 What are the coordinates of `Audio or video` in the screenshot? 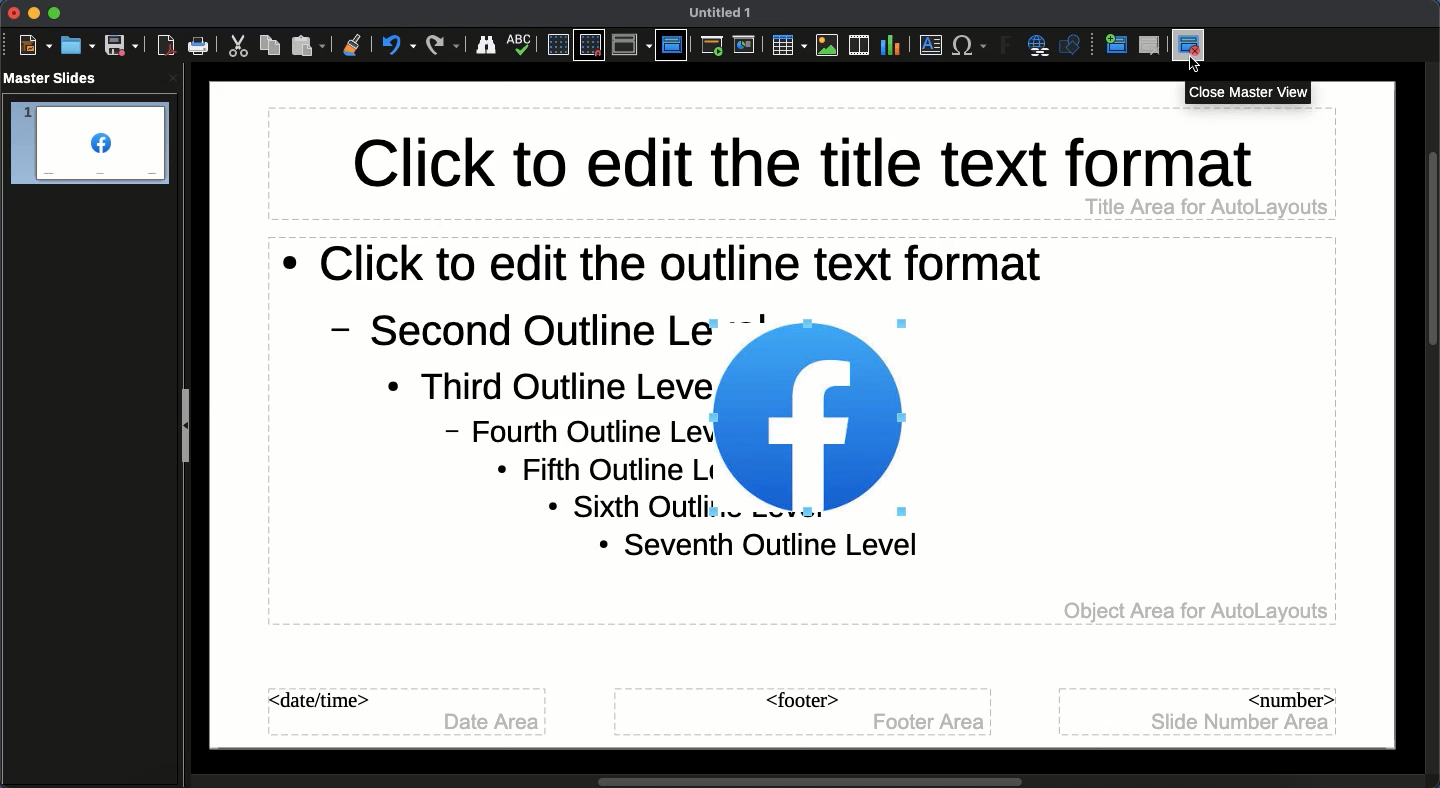 It's located at (858, 47).